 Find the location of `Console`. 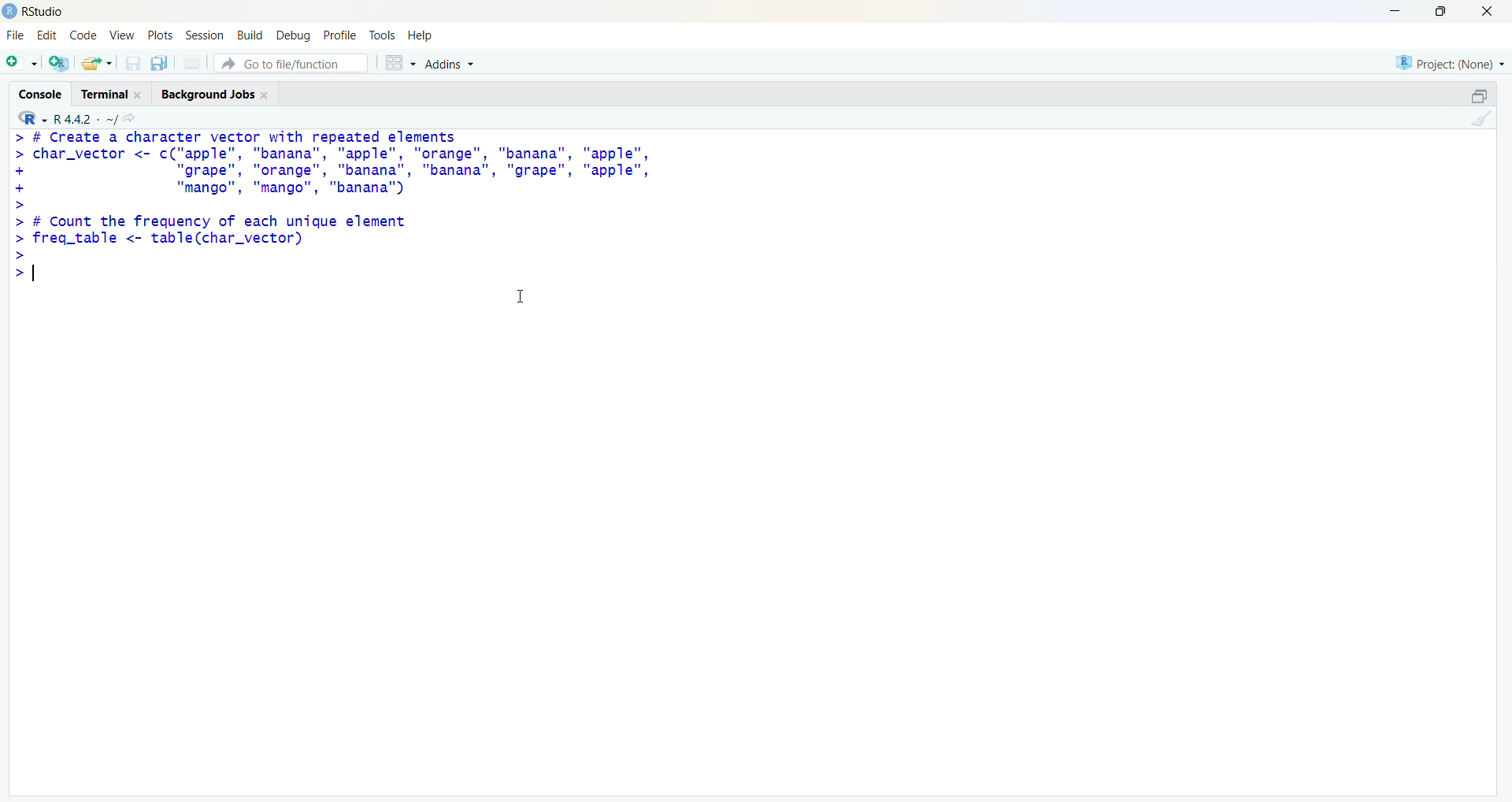

Console is located at coordinates (43, 92).